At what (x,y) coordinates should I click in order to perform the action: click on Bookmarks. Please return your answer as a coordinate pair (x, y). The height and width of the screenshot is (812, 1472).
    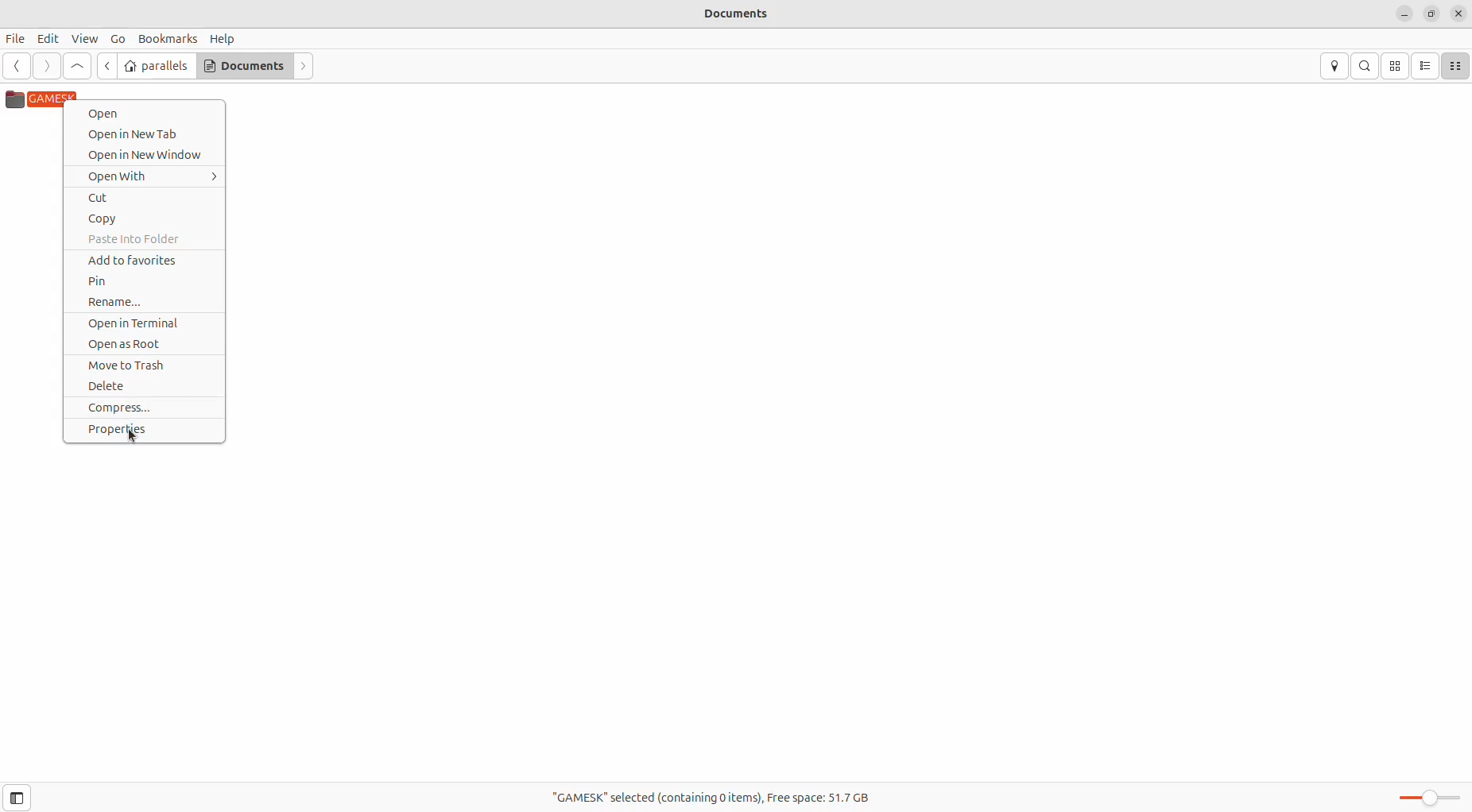
    Looking at the image, I should click on (169, 40).